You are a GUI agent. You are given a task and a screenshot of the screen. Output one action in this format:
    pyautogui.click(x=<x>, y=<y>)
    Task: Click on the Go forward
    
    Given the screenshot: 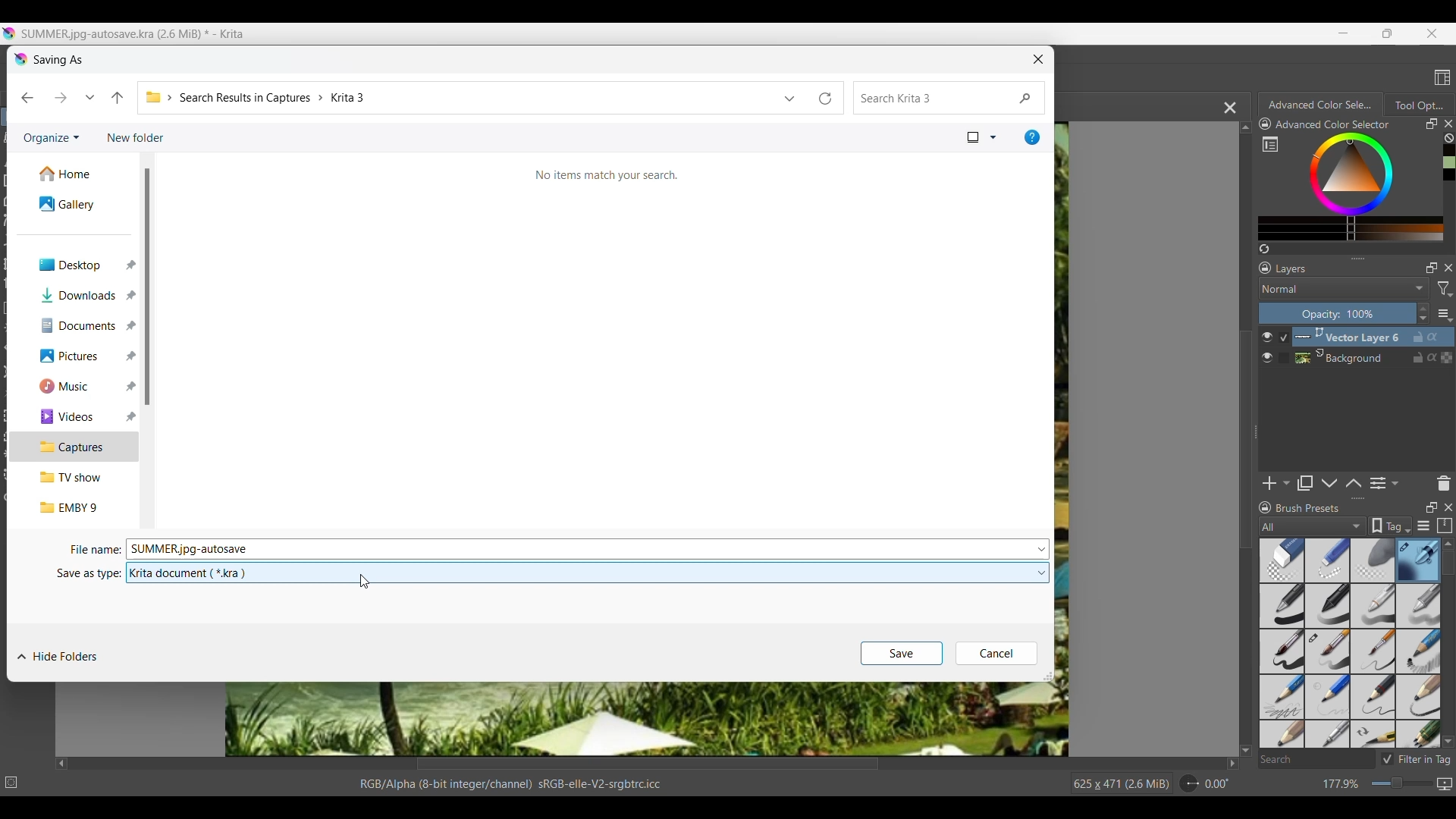 What is the action you would take?
    pyautogui.click(x=61, y=97)
    